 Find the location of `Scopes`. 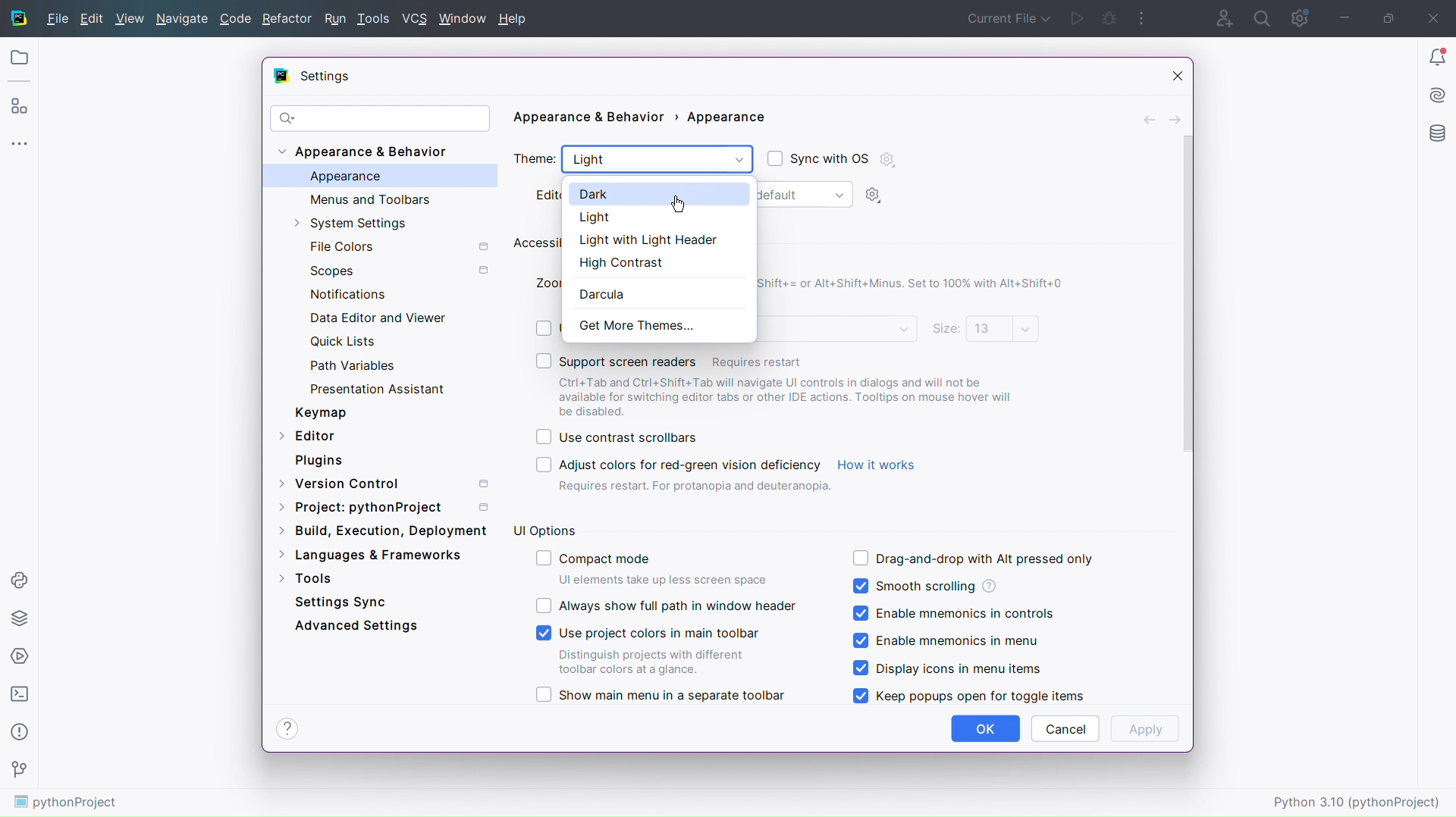

Scopes is located at coordinates (396, 271).